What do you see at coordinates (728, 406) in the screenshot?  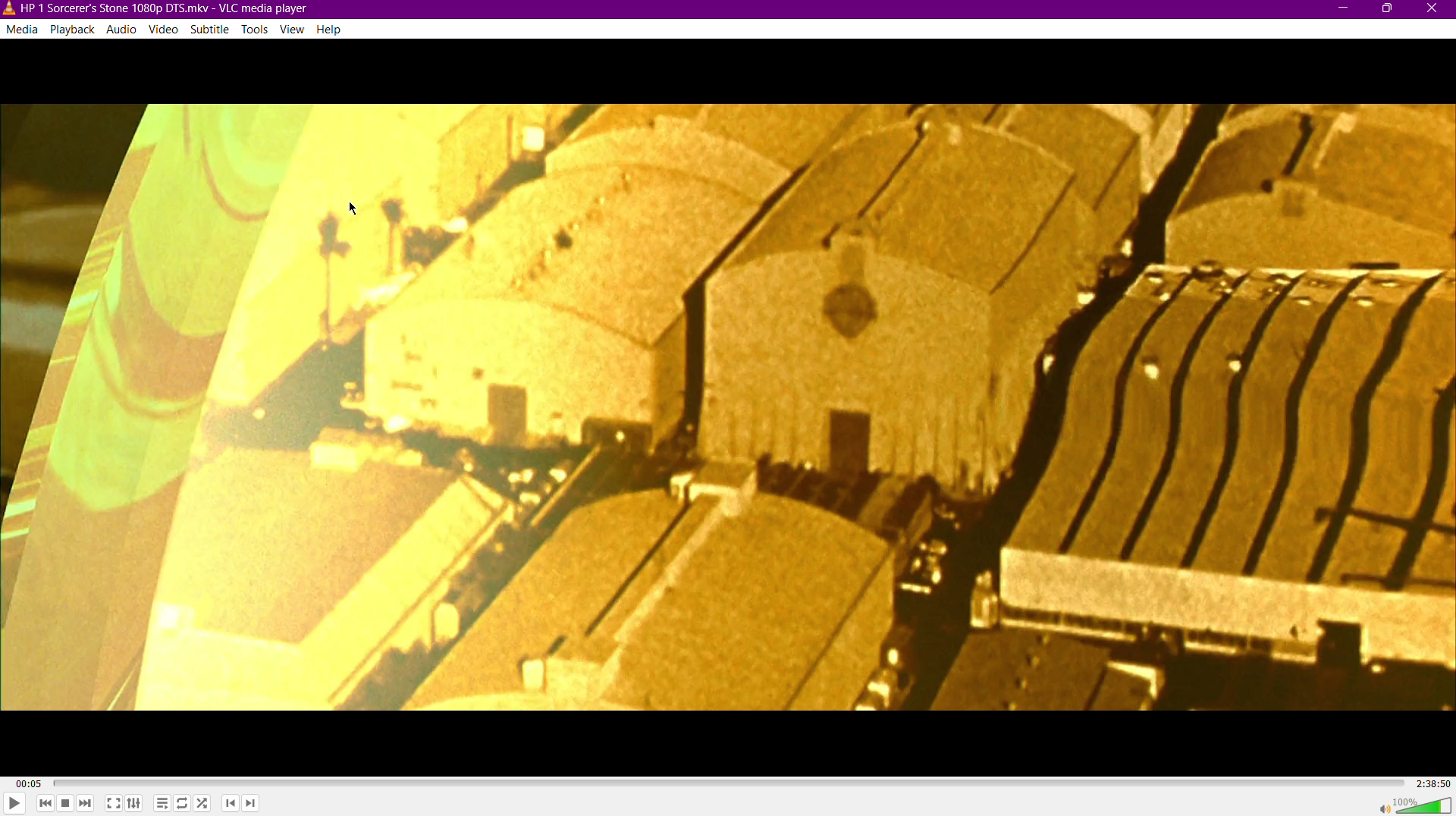 I see `Video Display` at bounding box center [728, 406].